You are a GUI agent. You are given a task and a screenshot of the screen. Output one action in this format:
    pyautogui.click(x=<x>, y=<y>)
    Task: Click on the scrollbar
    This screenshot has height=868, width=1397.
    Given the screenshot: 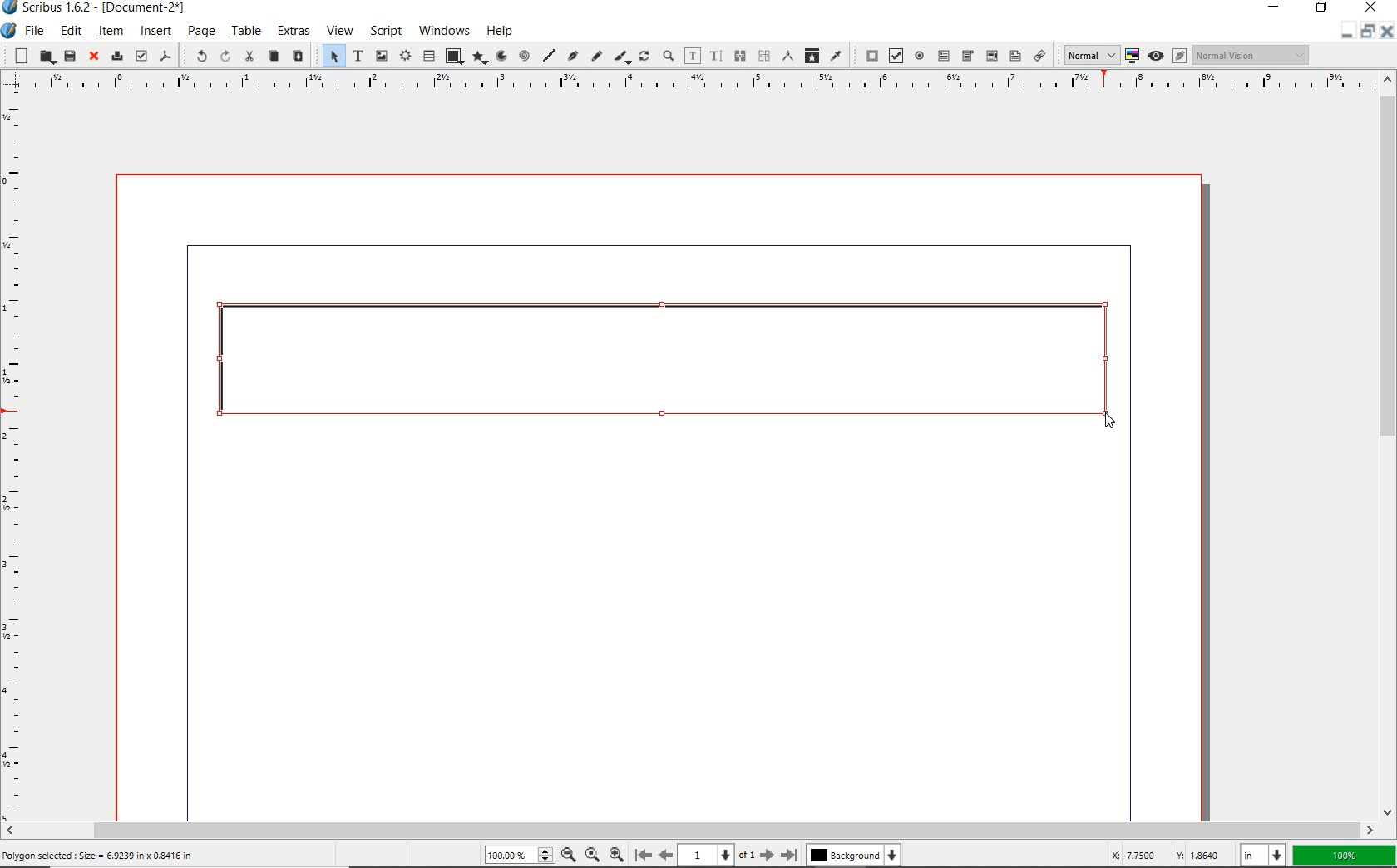 What is the action you would take?
    pyautogui.click(x=1389, y=445)
    